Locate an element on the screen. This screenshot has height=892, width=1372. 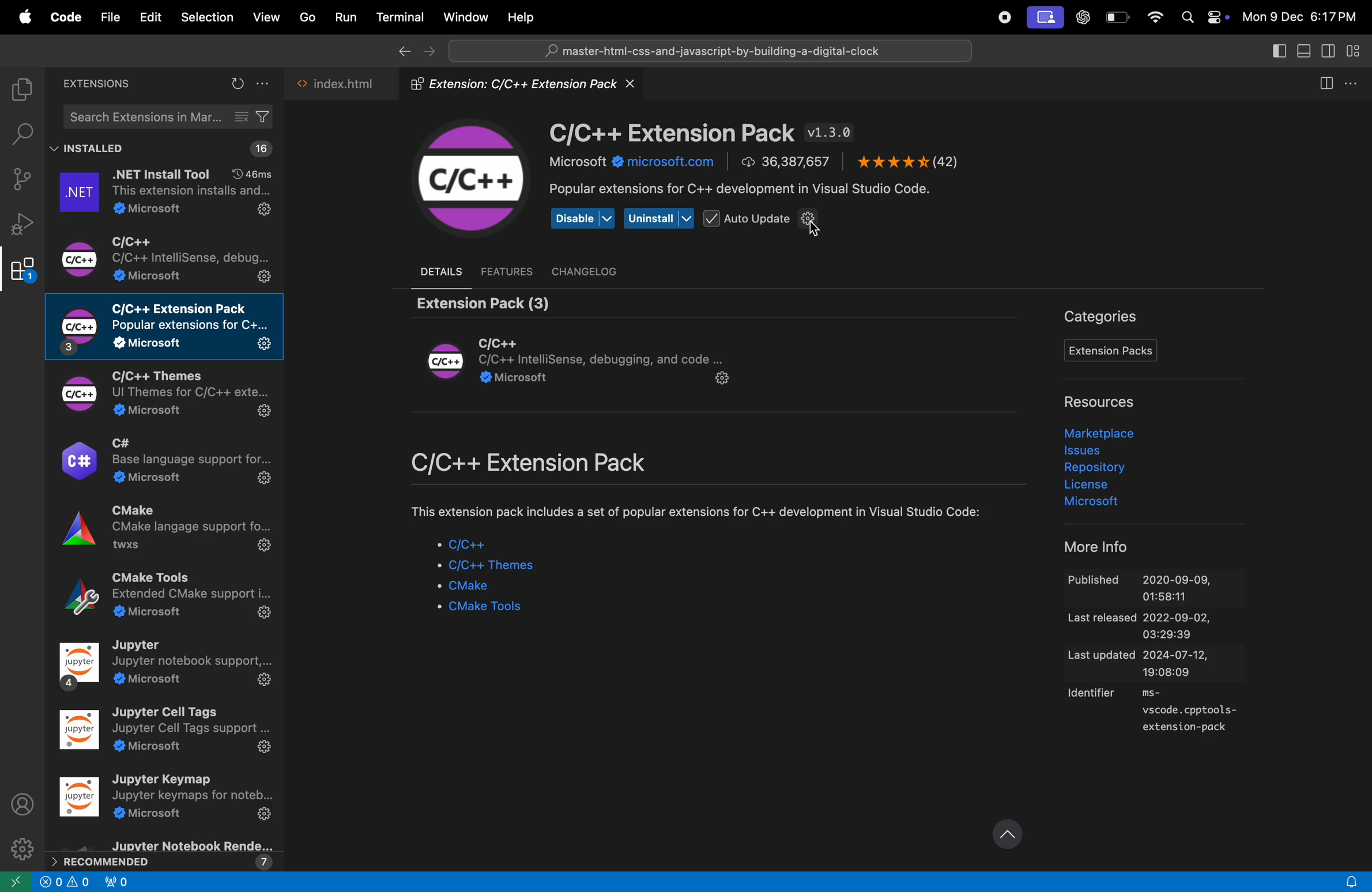
c/C++ extesnsiomns is located at coordinates (168, 259).